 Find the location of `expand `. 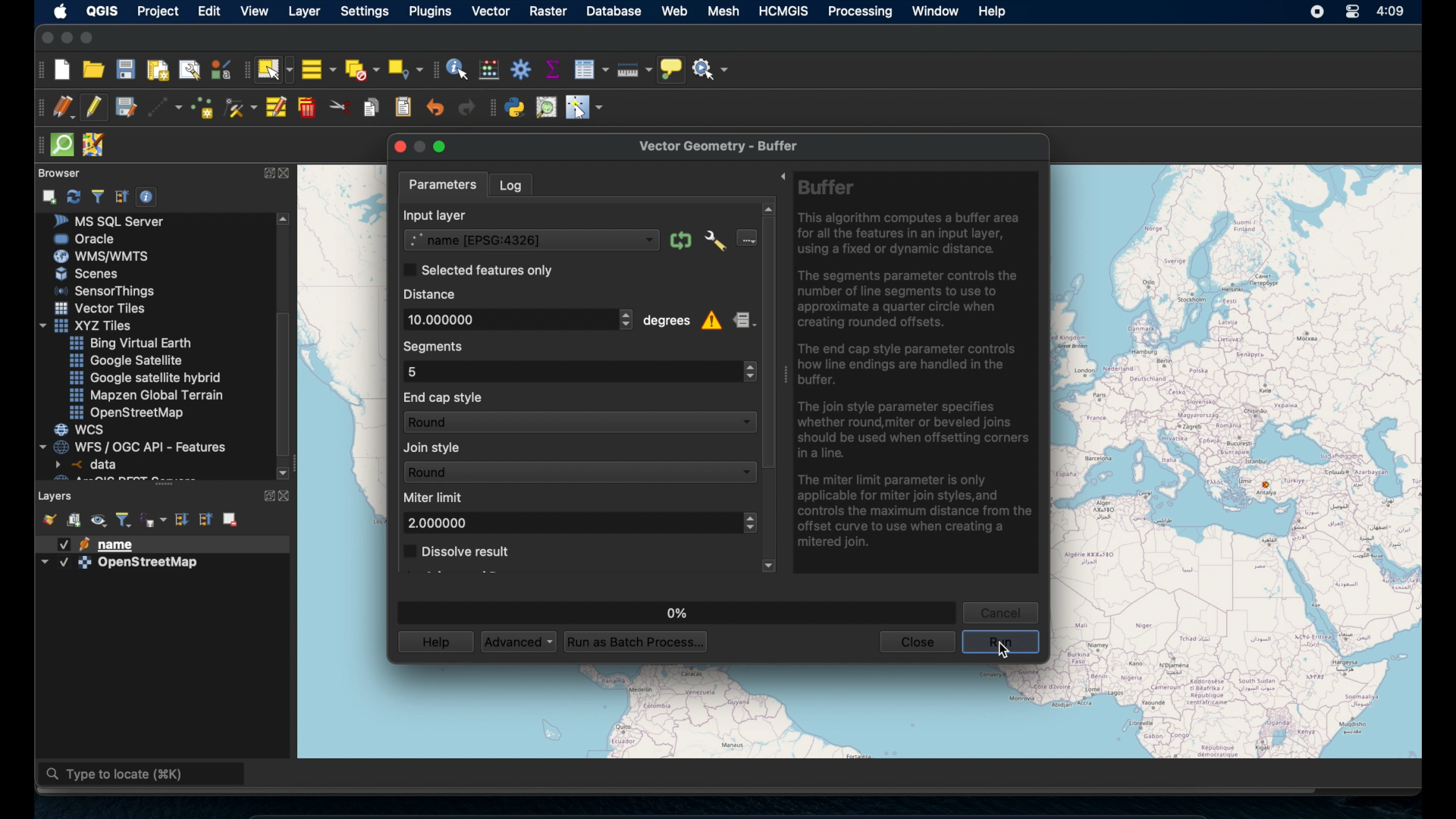

expand  is located at coordinates (781, 175).